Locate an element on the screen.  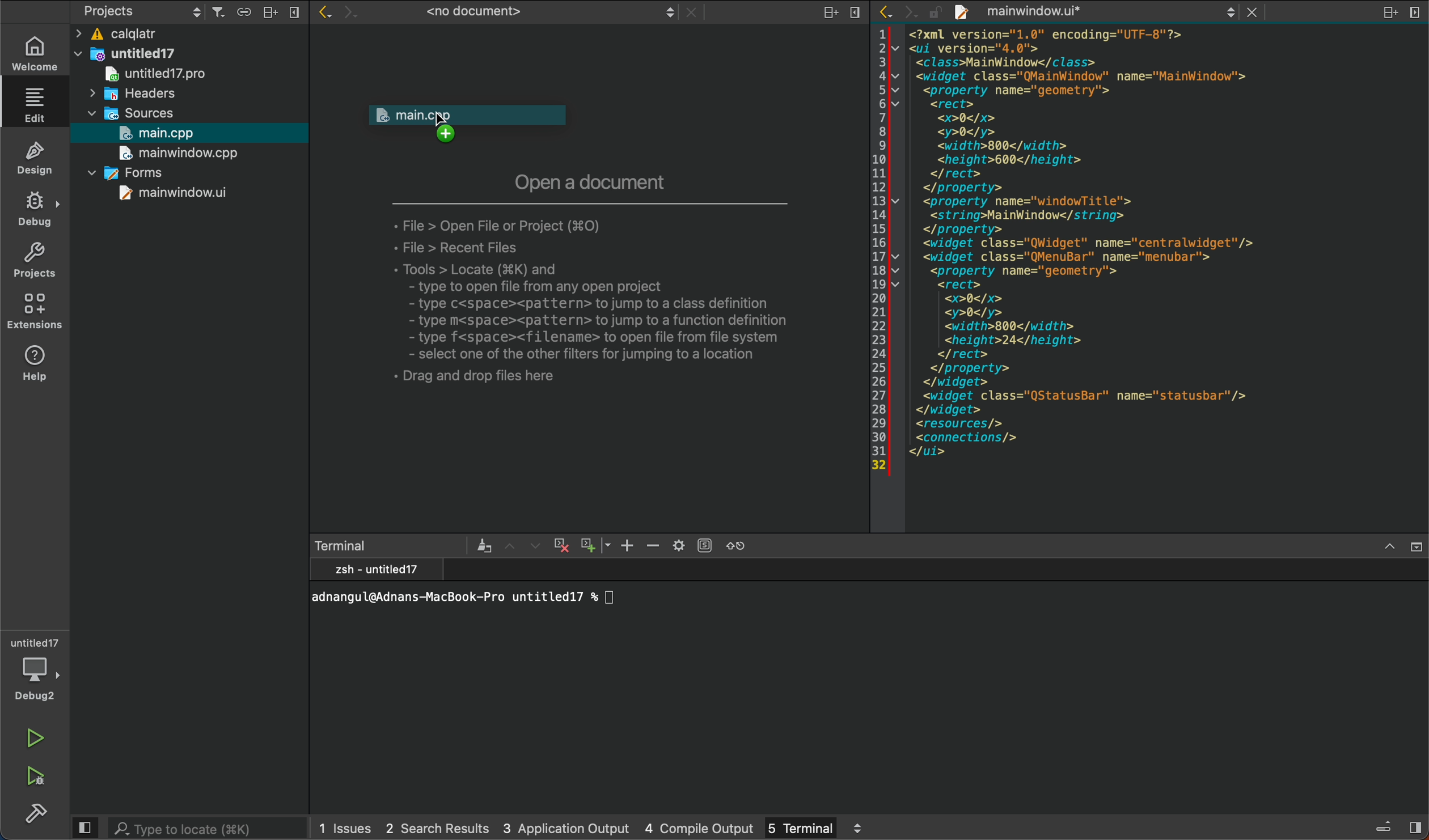
application output is located at coordinates (566, 826).